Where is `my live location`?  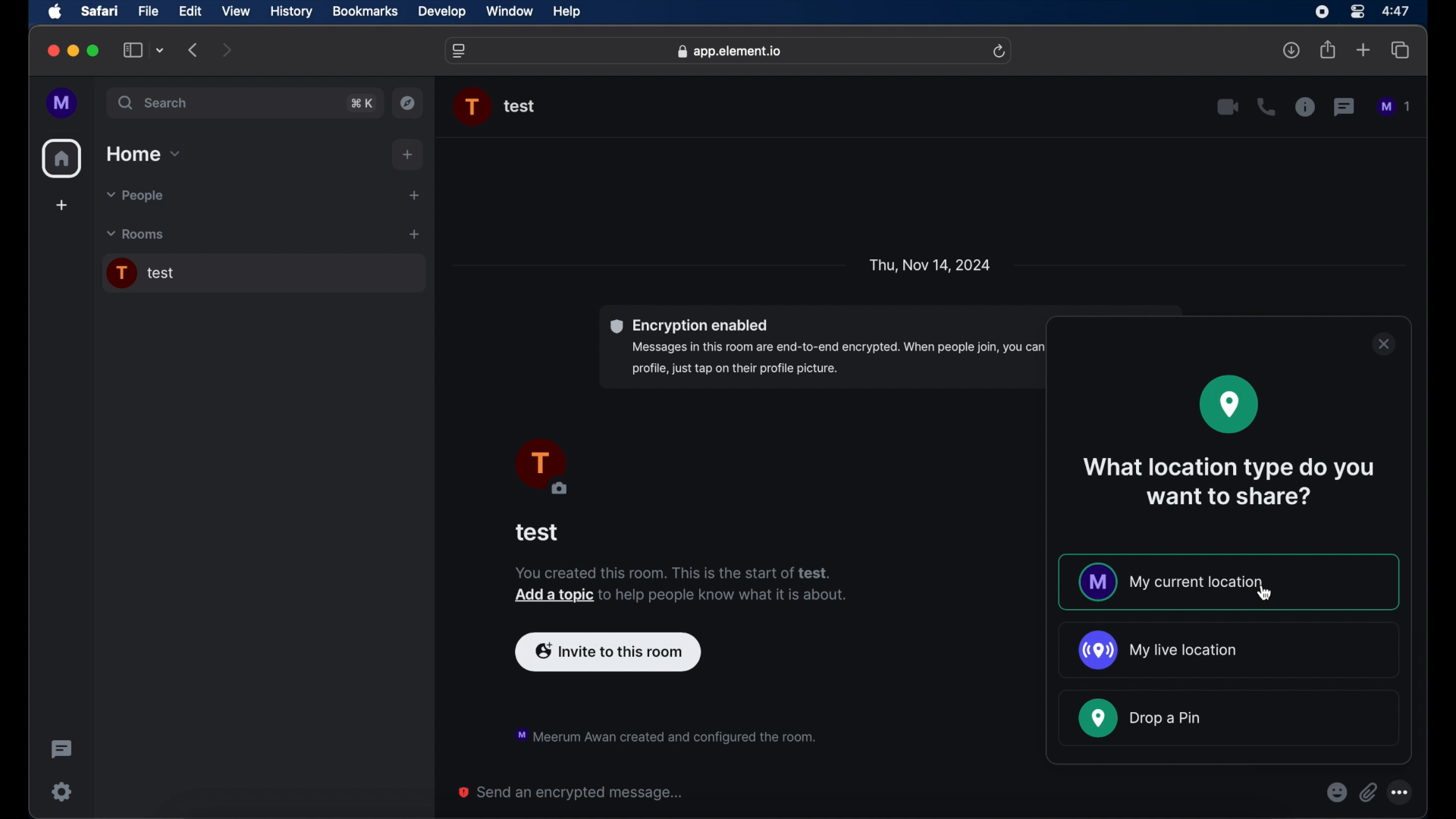 my live location is located at coordinates (1156, 650).